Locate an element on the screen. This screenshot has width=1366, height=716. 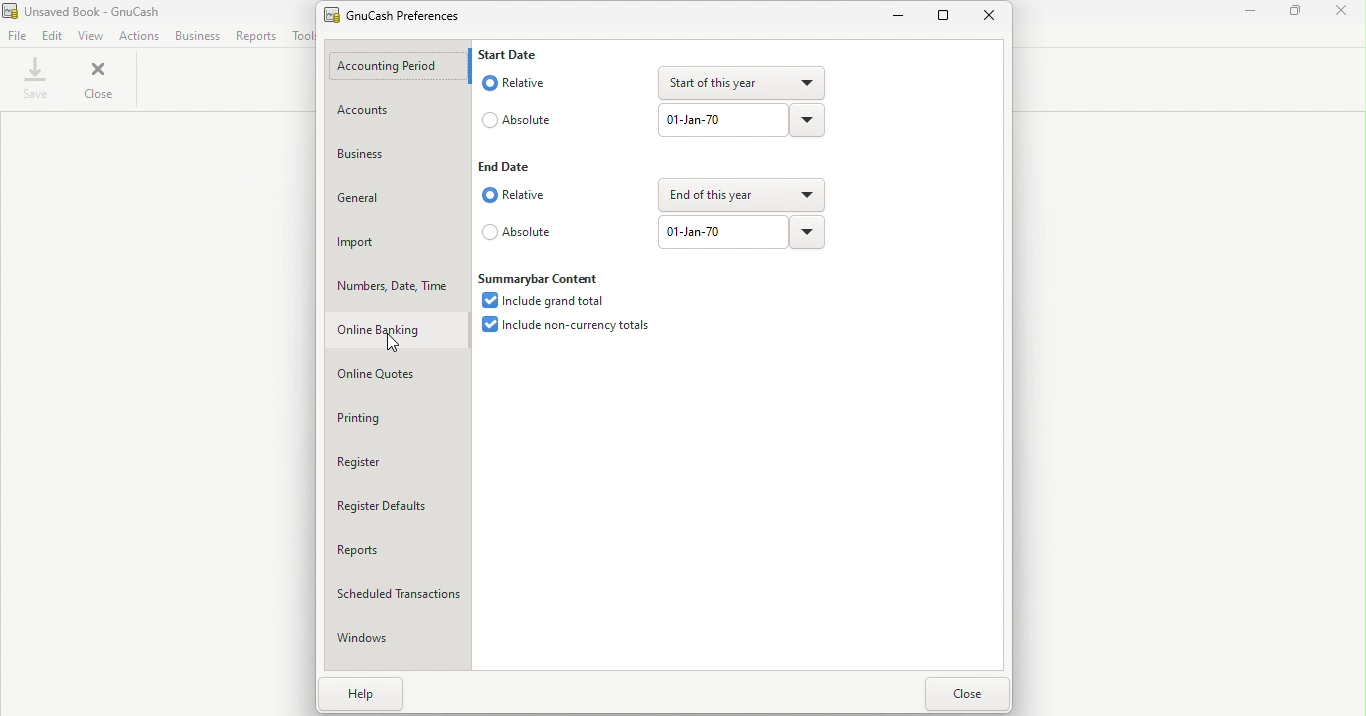
Include grand total is located at coordinates (544, 301).